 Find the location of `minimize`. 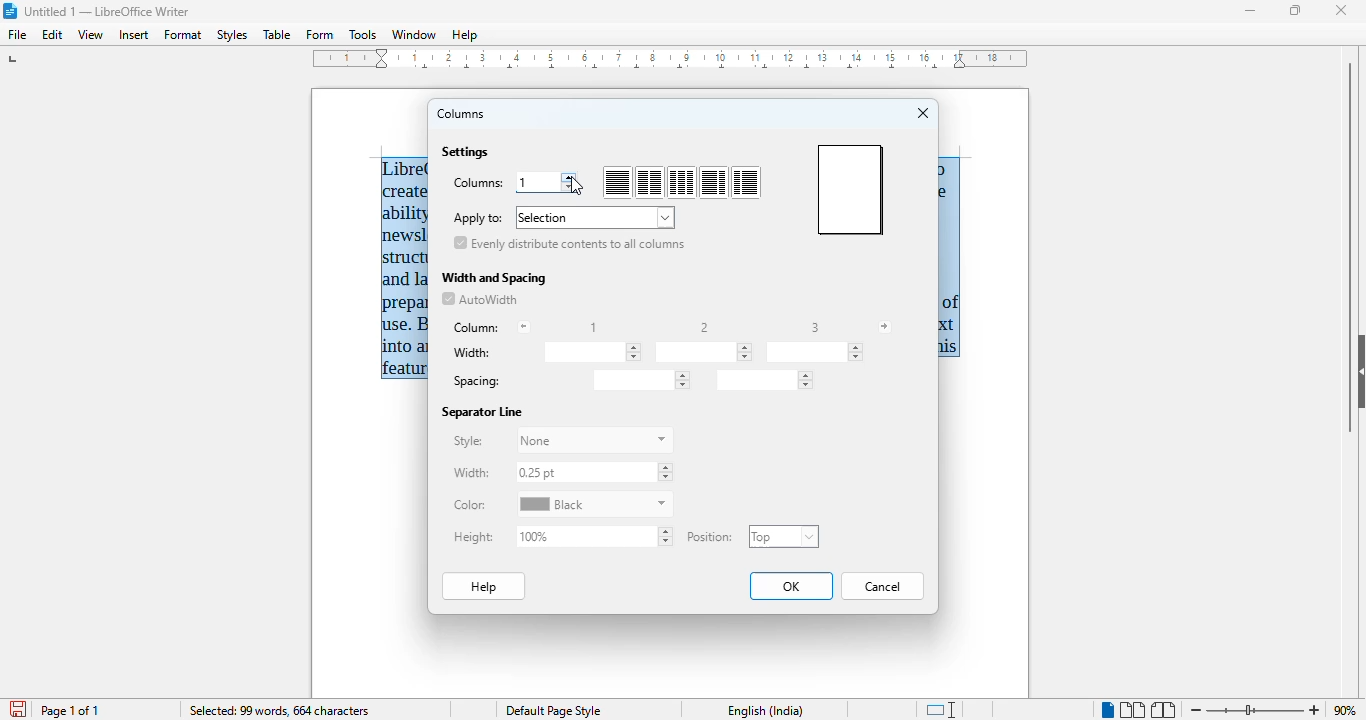

minimize is located at coordinates (1252, 11).